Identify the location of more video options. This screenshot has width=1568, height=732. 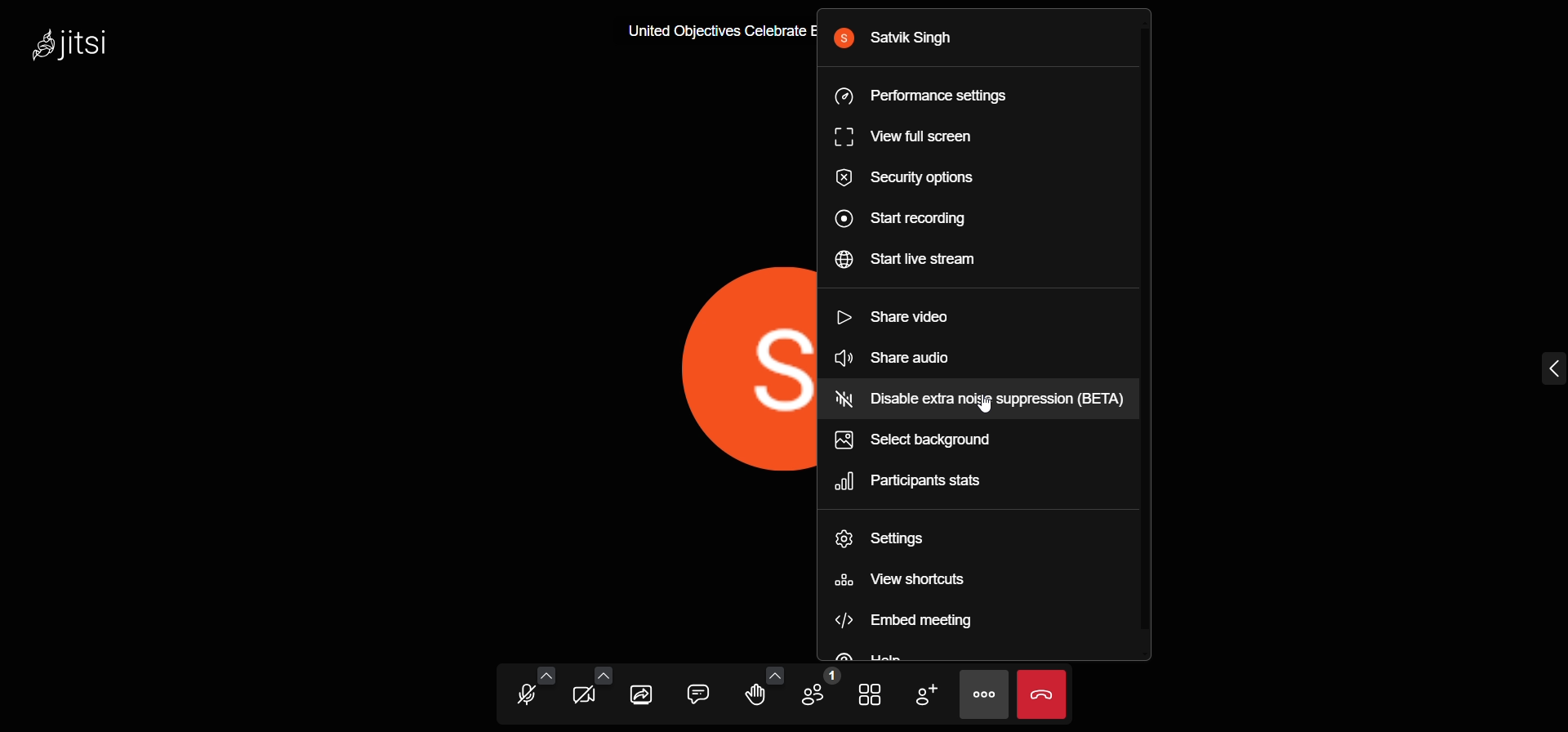
(601, 674).